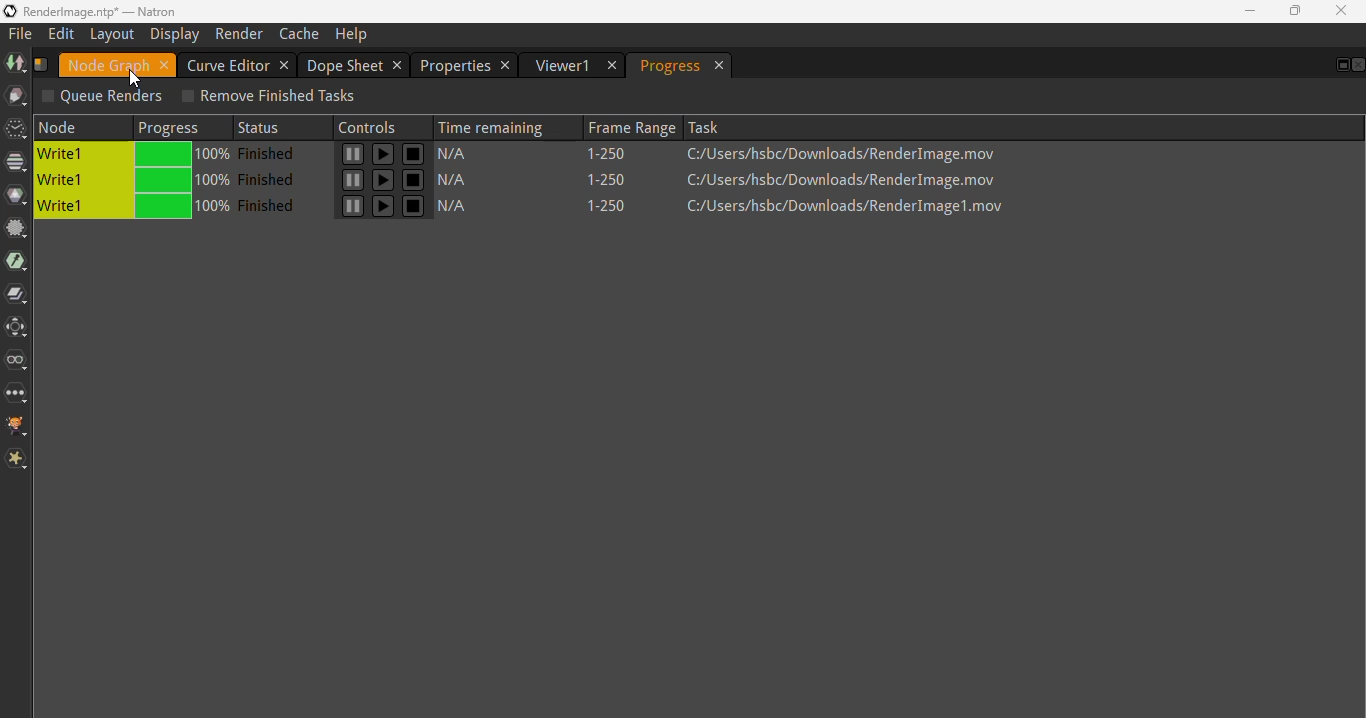 The image size is (1366, 718). Describe the element at coordinates (102, 97) in the screenshot. I see `queue renders` at that location.